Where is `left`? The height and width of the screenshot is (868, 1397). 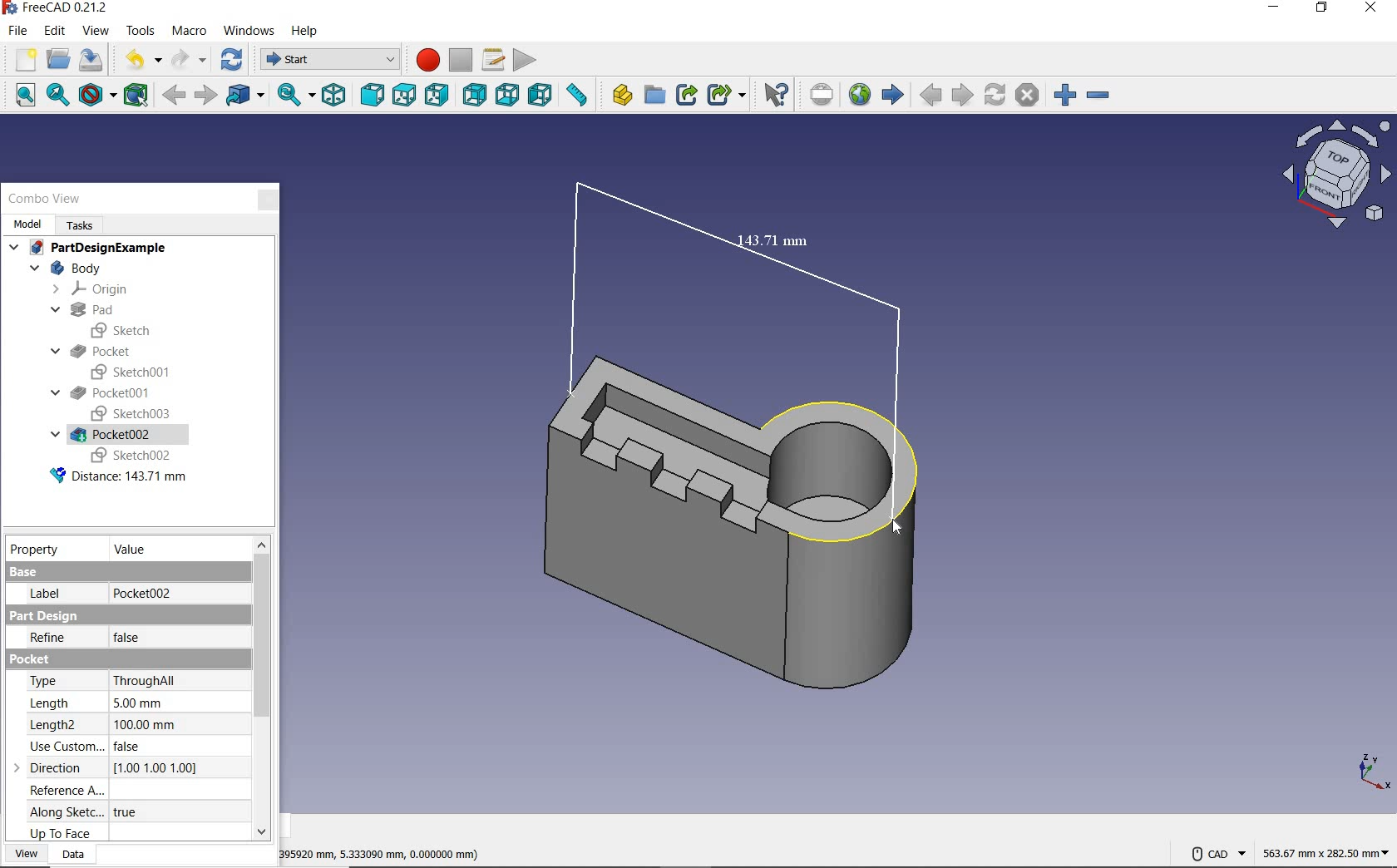 left is located at coordinates (539, 96).